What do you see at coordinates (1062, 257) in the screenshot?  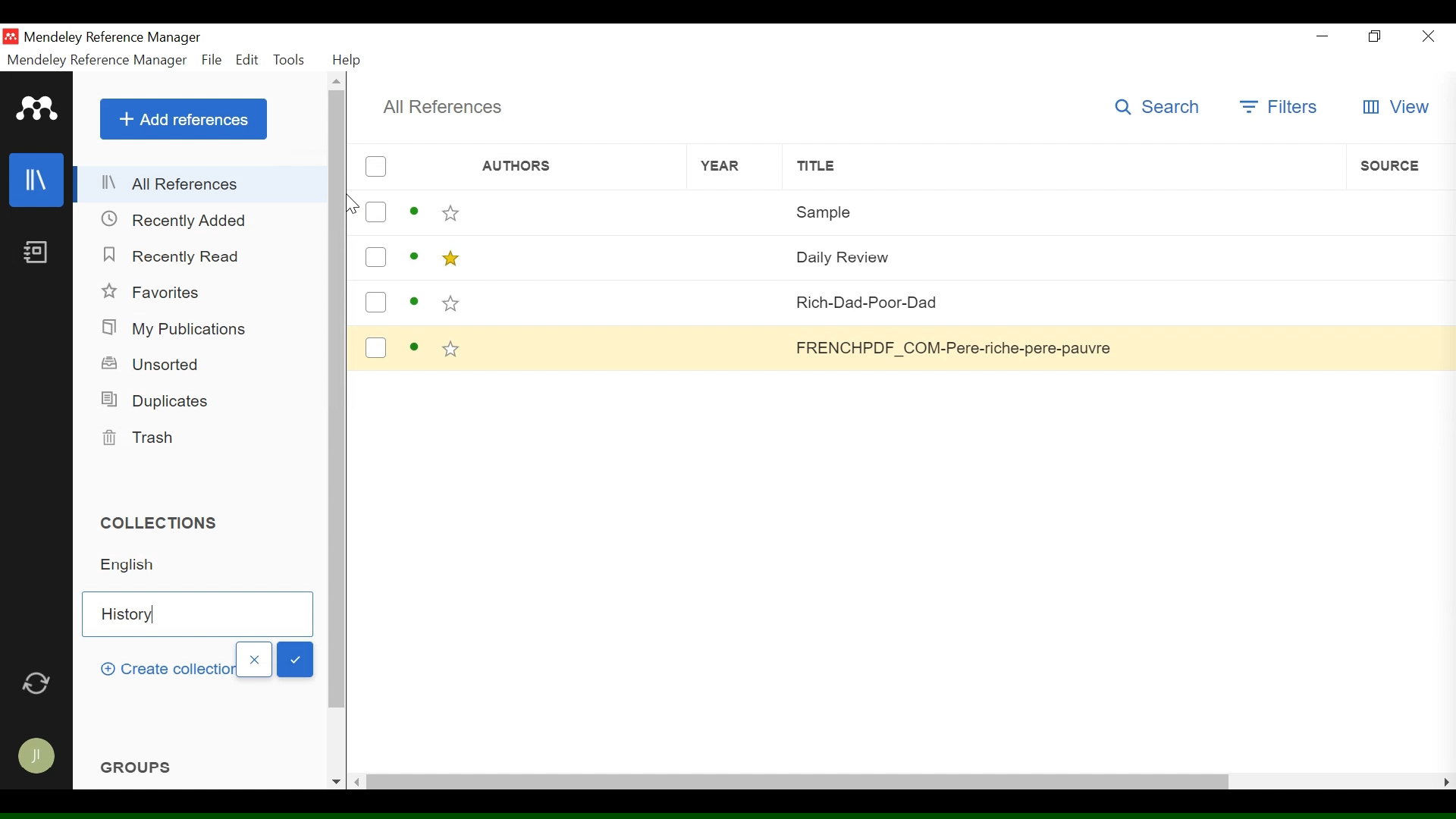 I see `Daily Review` at bounding box center [1062, 257].